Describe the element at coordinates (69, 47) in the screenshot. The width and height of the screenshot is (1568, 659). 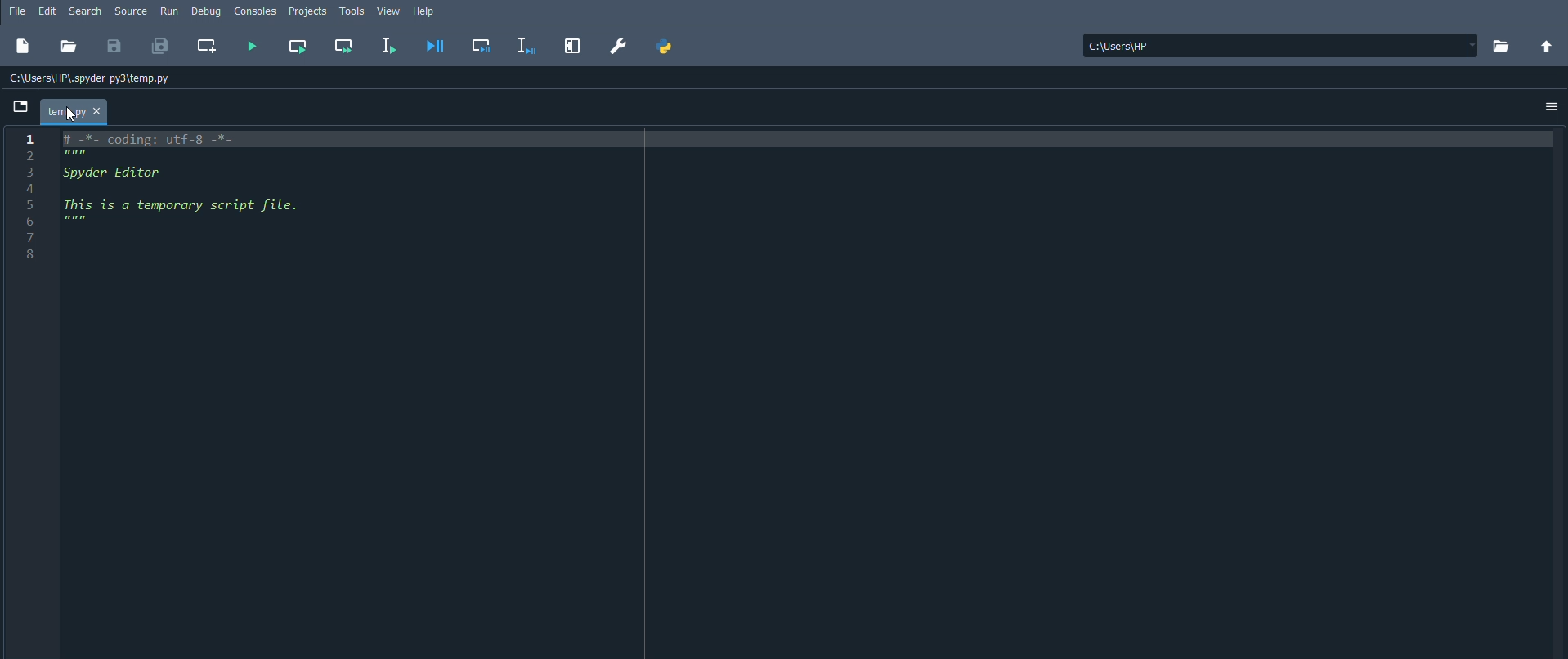
I see `Open file` at that location.